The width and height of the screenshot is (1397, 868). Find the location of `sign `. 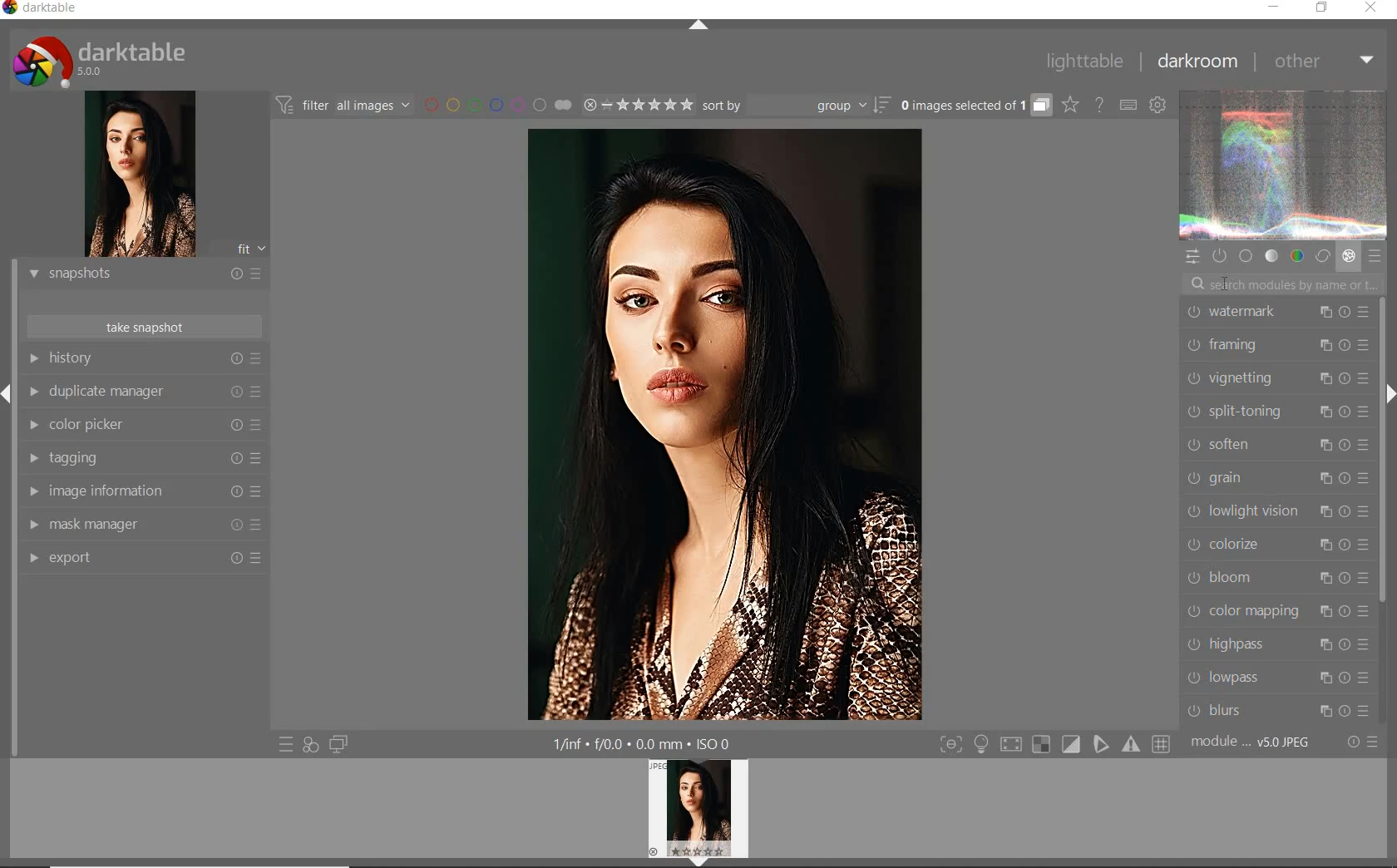

sign  is located at coordinates (1133, 747).